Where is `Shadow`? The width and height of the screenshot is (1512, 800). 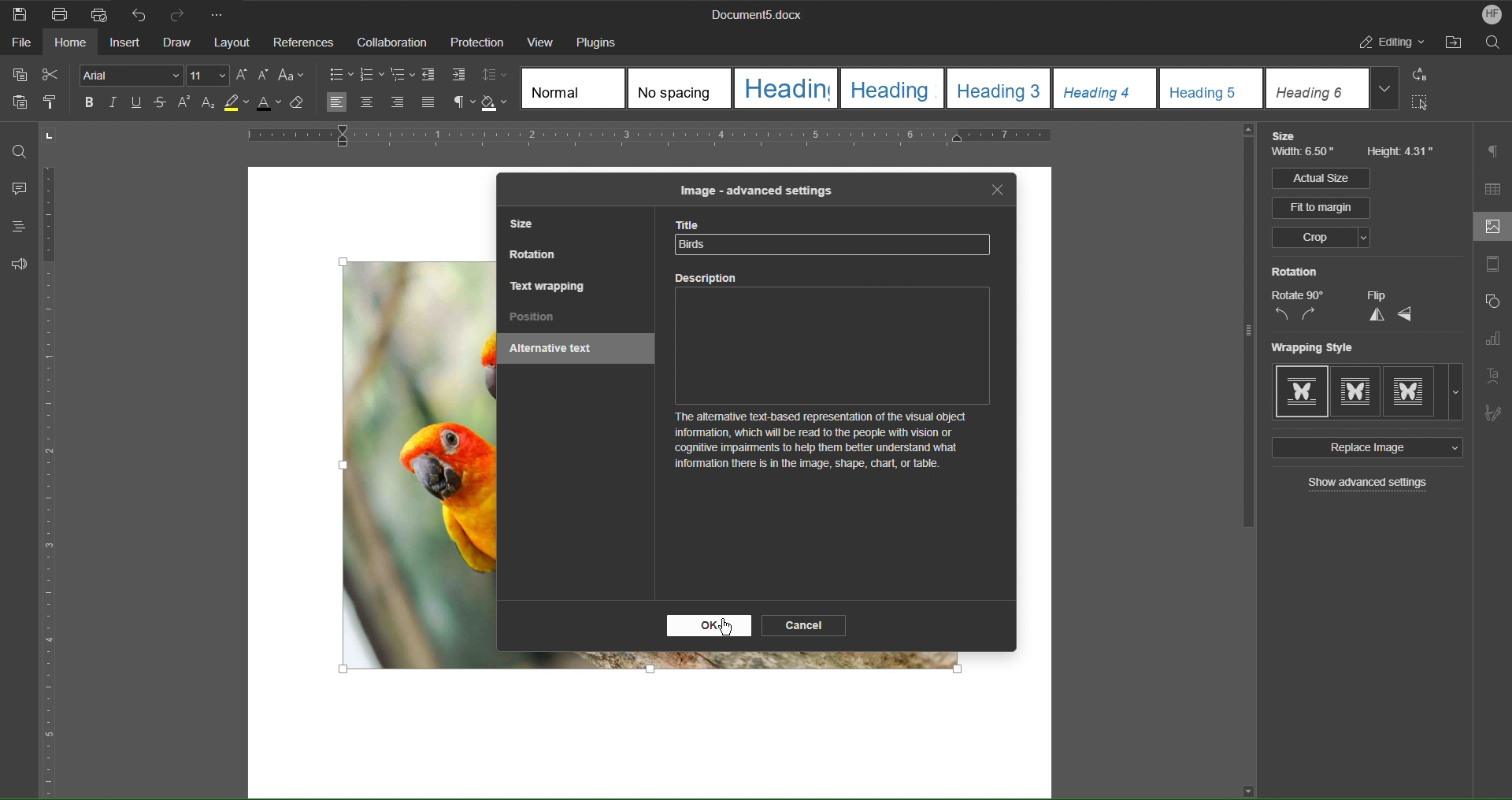 Shadow is located at coordinates (497, 103).